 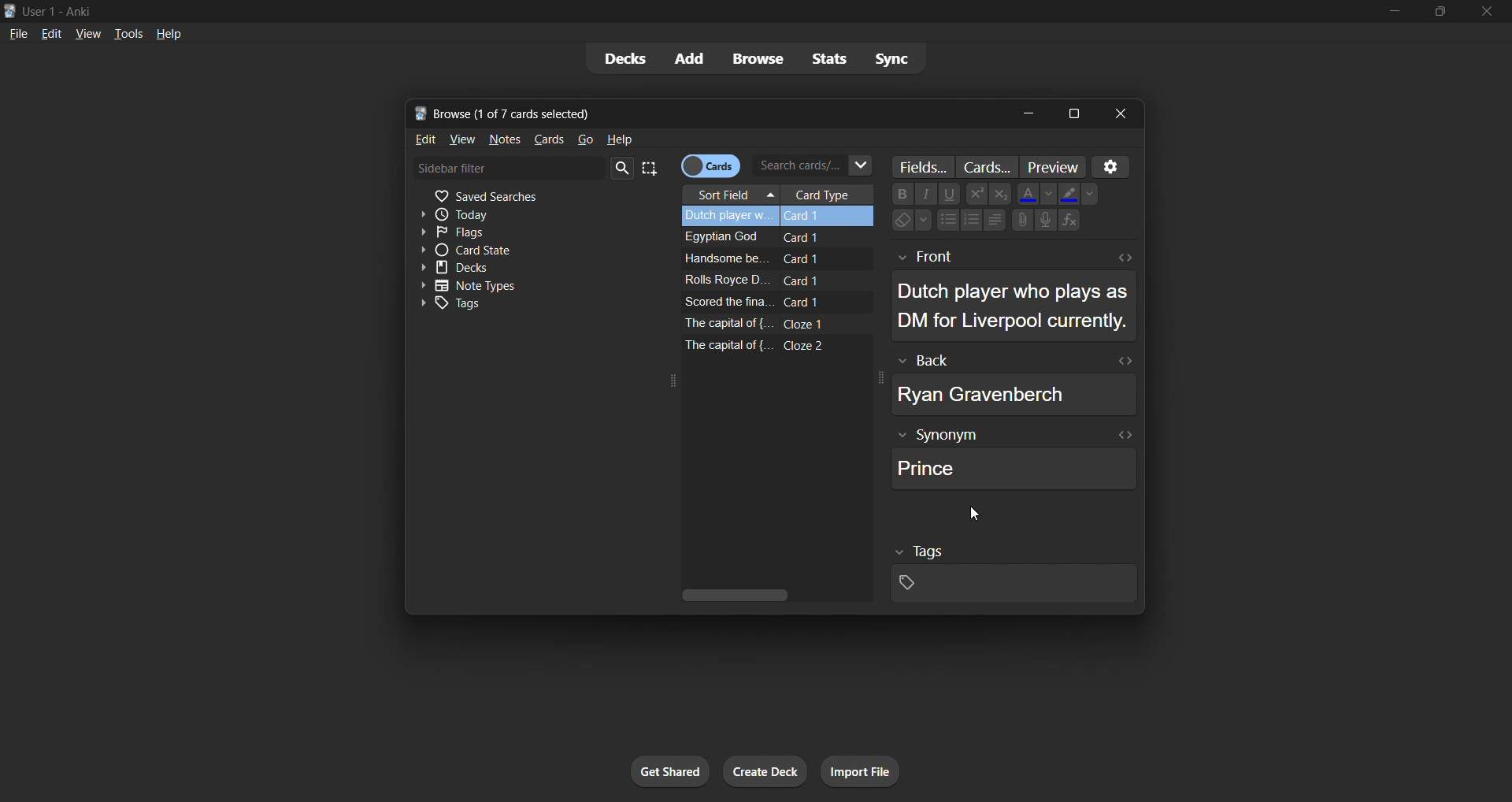 I want to click on view, so click(x=86, y=32).